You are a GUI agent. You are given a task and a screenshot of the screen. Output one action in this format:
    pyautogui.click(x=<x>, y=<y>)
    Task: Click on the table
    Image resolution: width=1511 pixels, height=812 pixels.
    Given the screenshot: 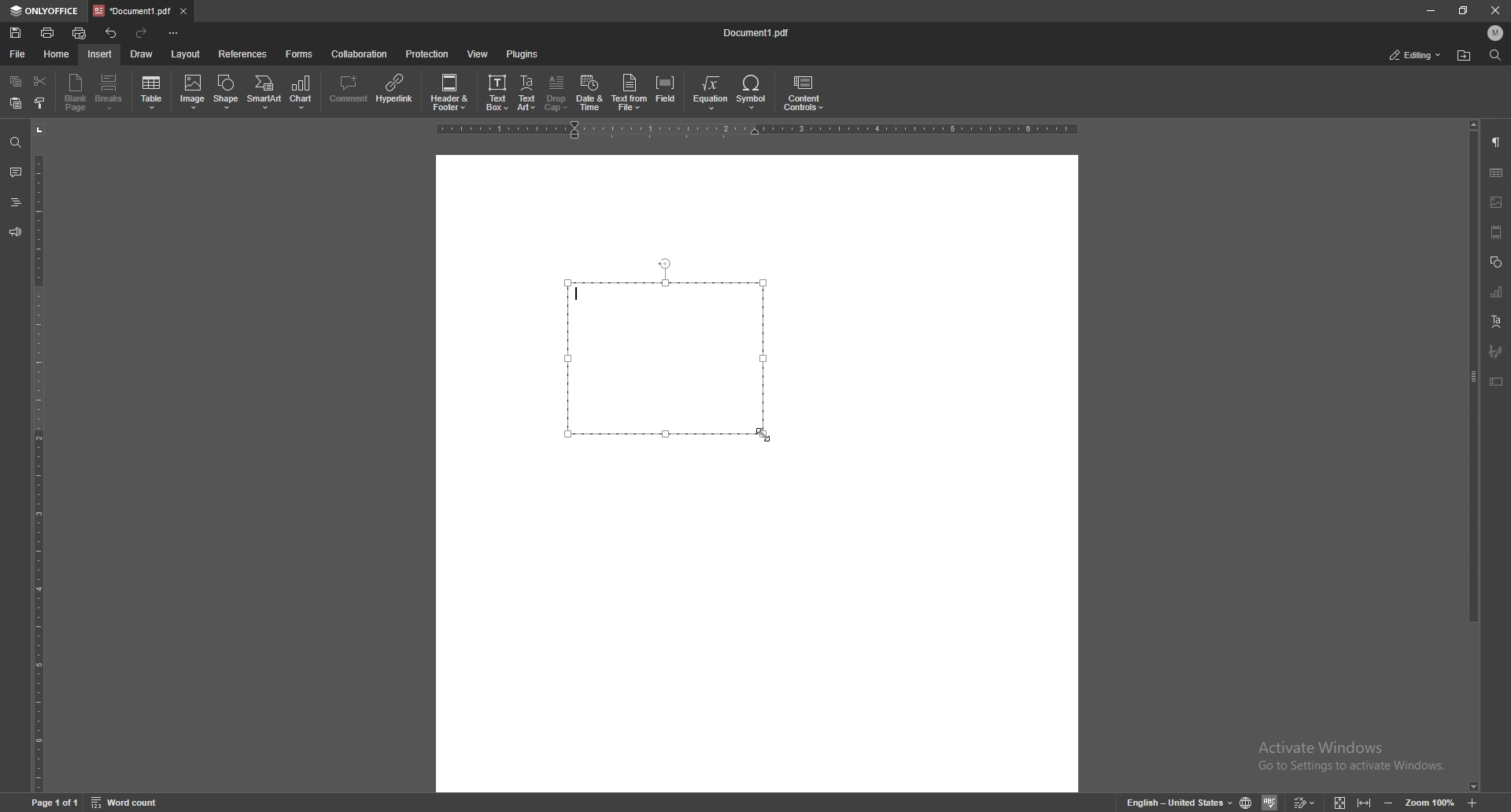 What is the action you would take?
    pyautogui.click(x=153, y=93)
    